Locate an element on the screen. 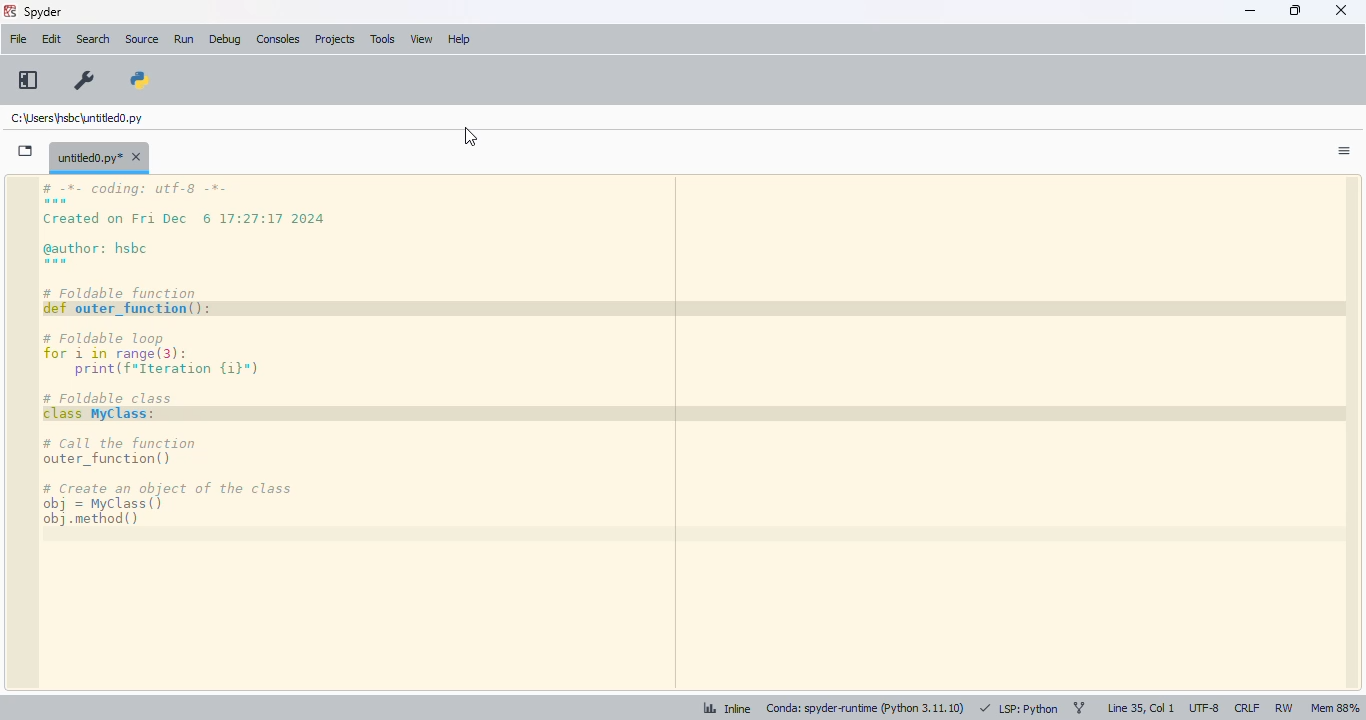 Image resolution: width=1366 pixels, height=720 pixels. tools is located at coordinates (383, 40).